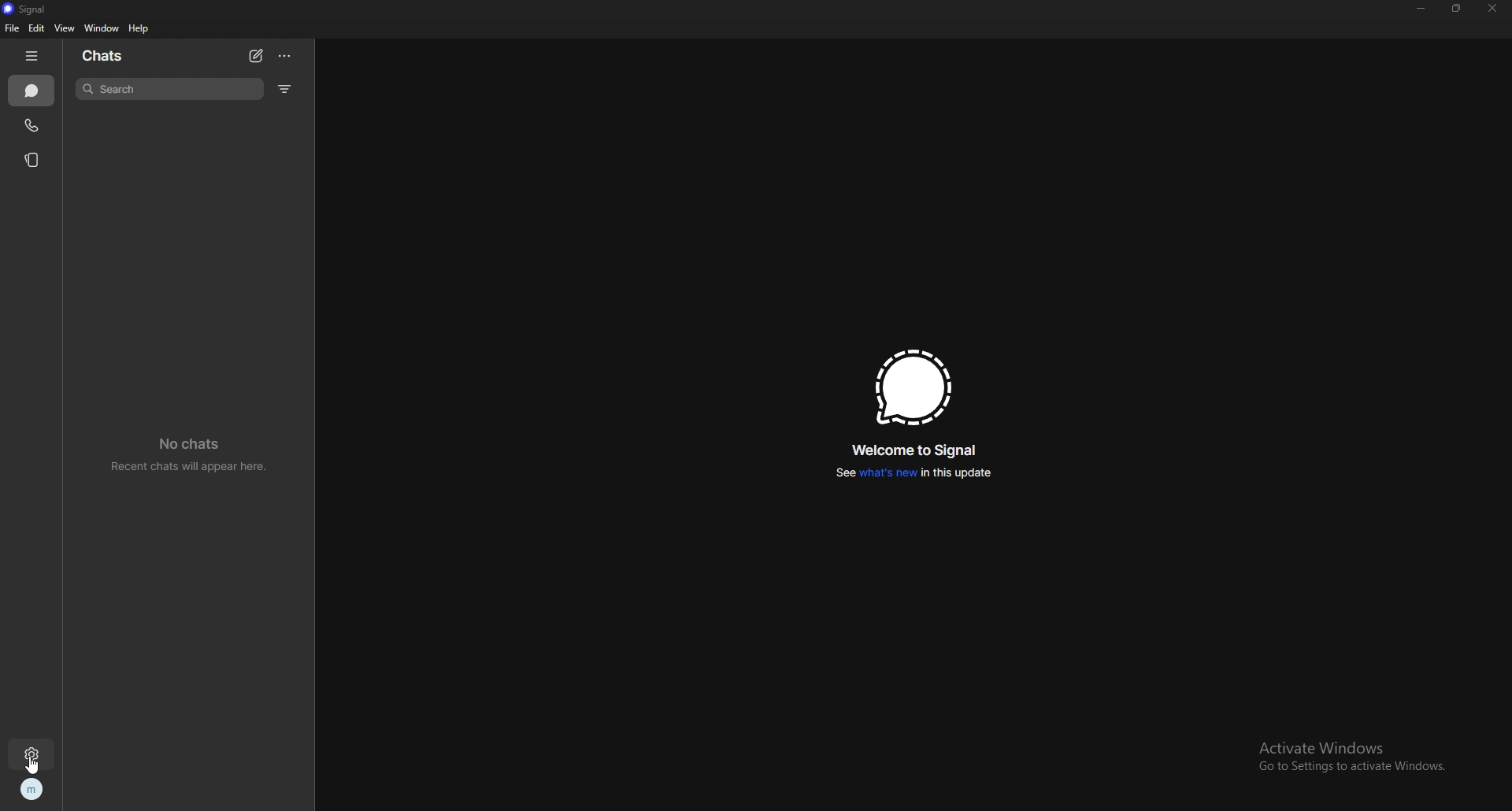 This screenshot has width=1512, height=811. I want to click on options, so click(286, 56).